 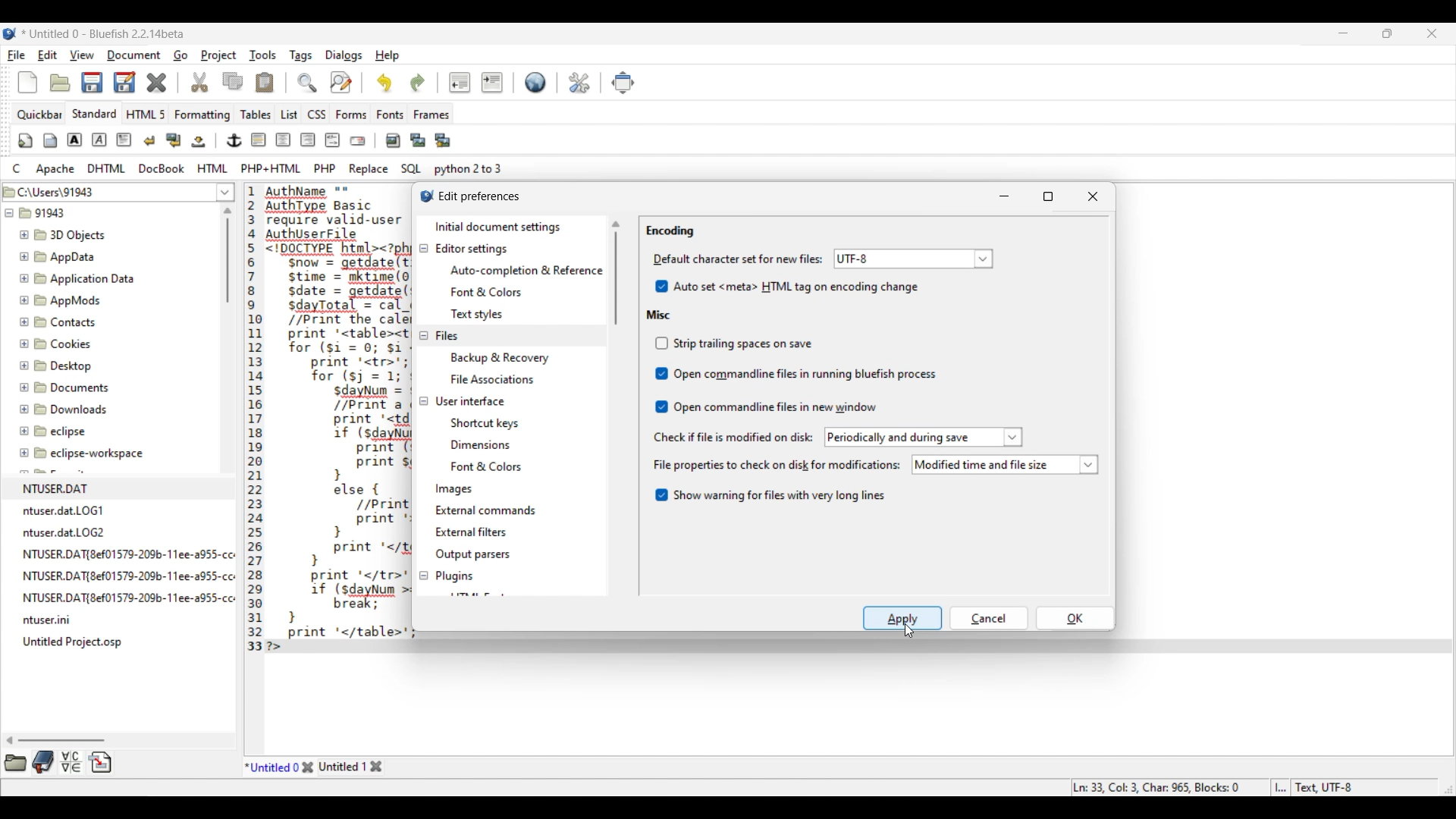 I want to click on Go menu, so click(x=180, y=55).